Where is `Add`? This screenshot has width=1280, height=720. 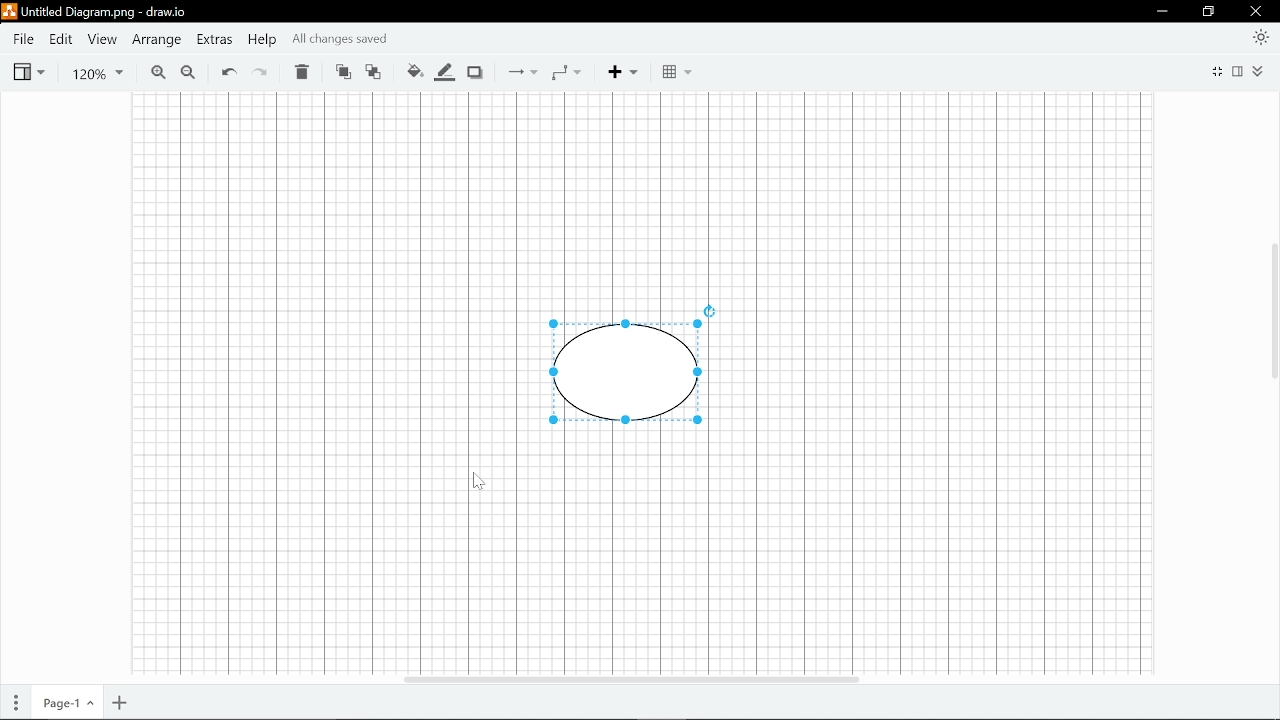
Add is located at coordinates (621, 73).